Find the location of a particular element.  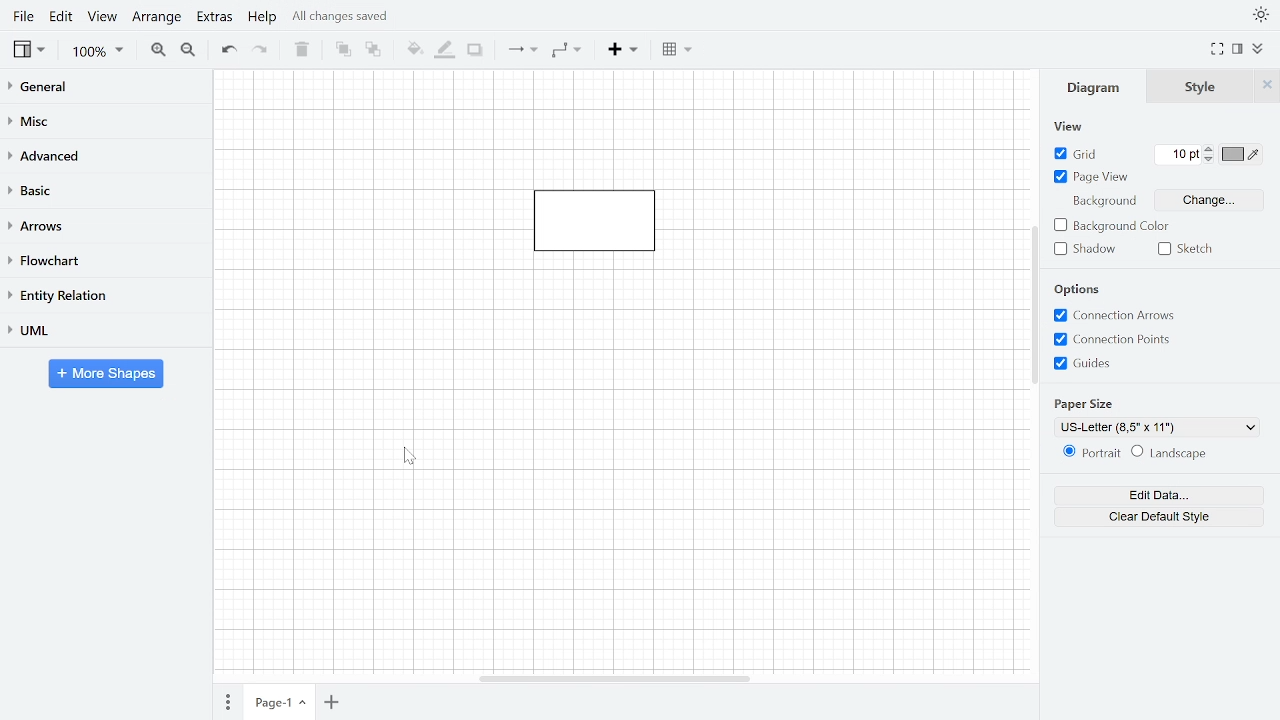

To back is located at coordinates (372, 50).